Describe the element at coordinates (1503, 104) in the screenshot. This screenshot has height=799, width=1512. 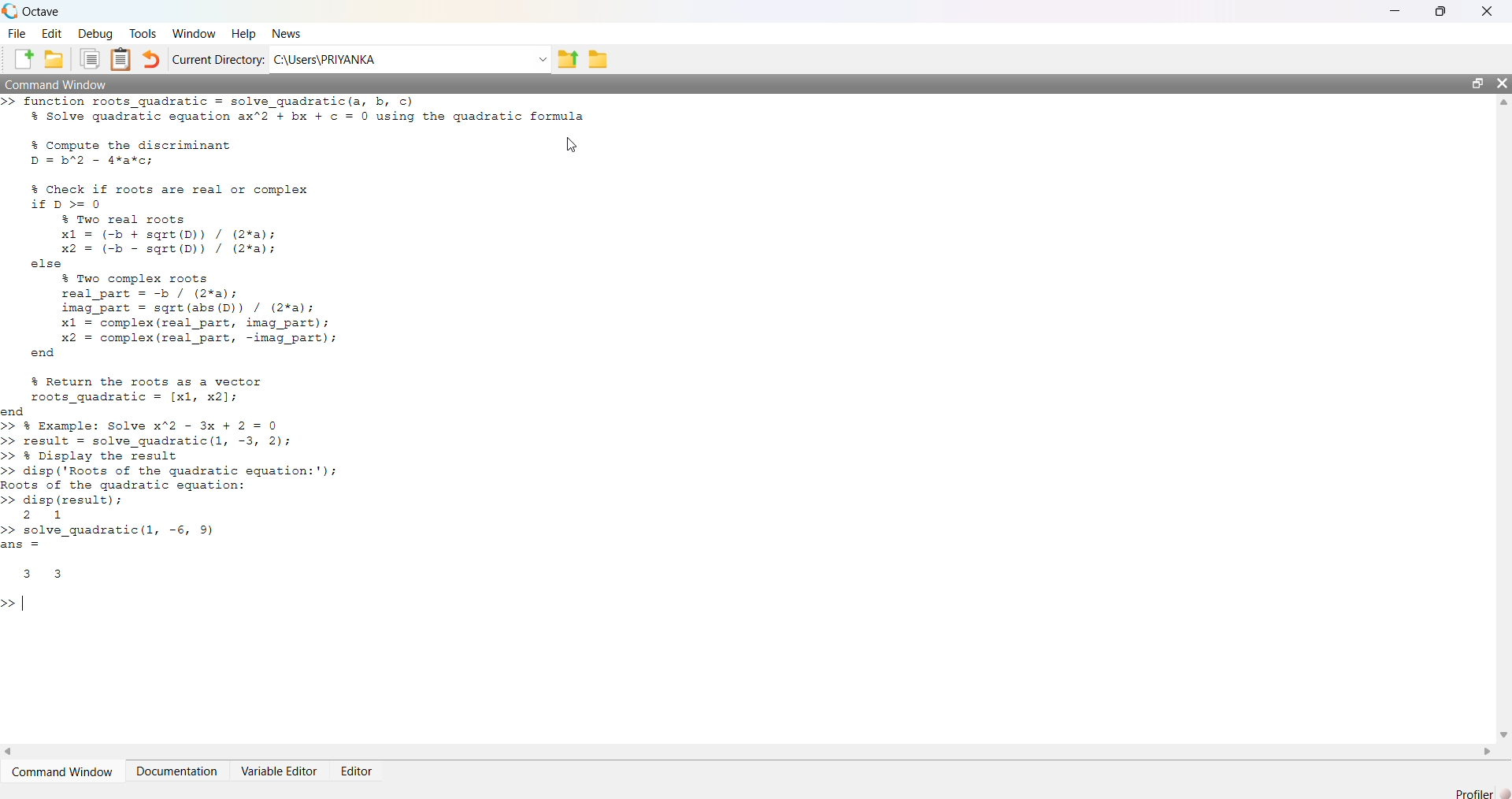
I see `Up` at that location.